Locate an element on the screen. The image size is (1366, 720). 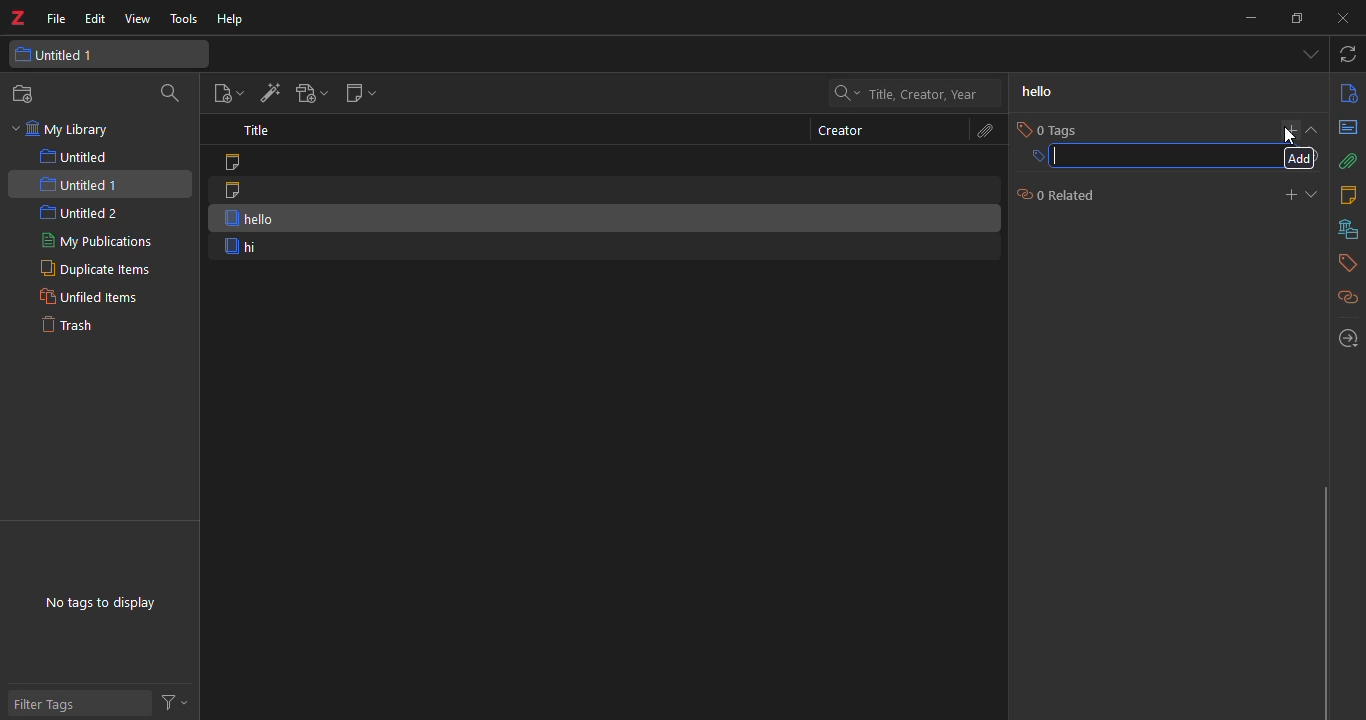
tools is located at coordinates (183, 19).